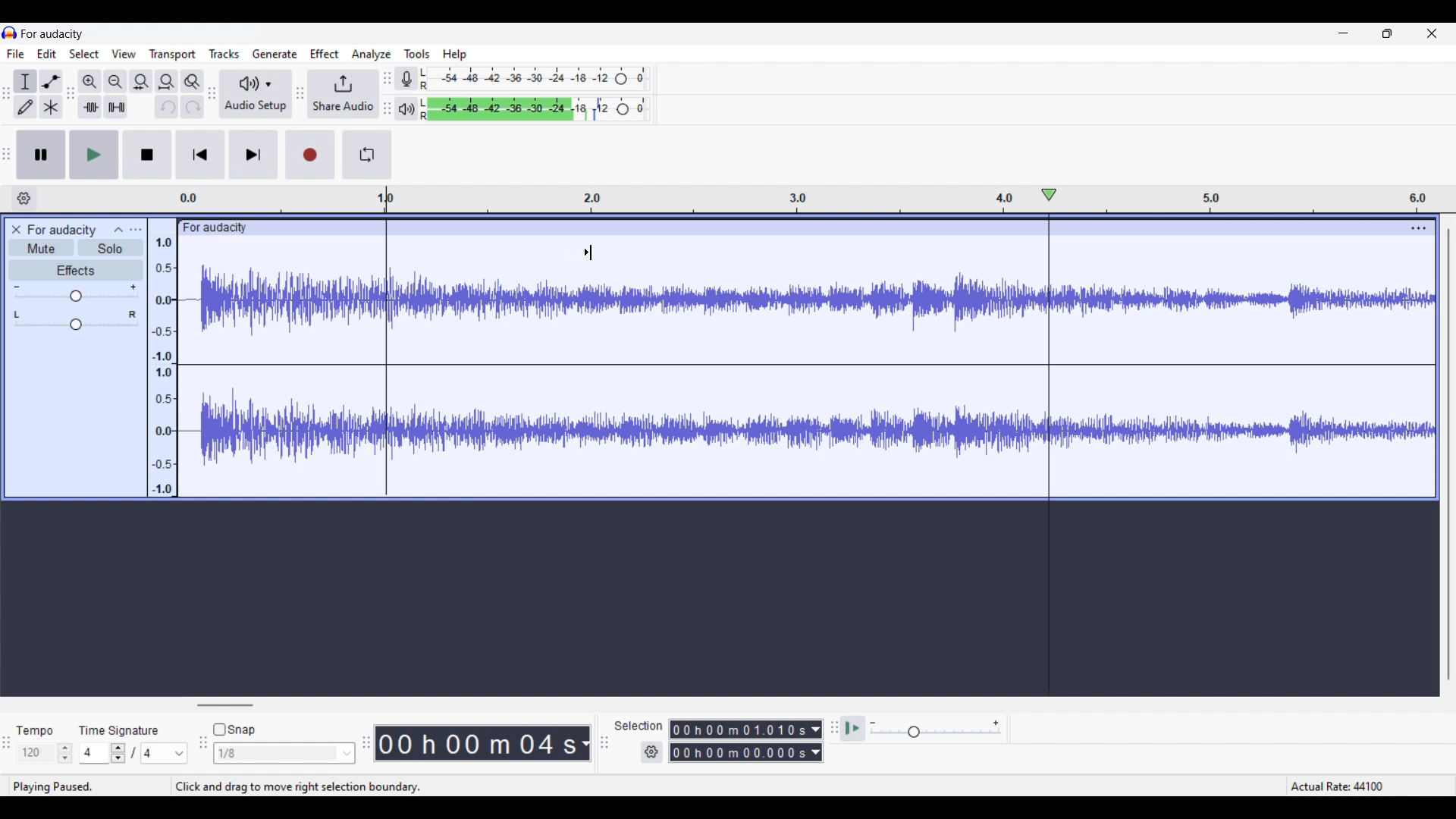 This screenshot has width=1456, height=819. What do you see at coordinates (62, 231) in the screenshot?
I see `for audacity` at bounding box center [62, 231].